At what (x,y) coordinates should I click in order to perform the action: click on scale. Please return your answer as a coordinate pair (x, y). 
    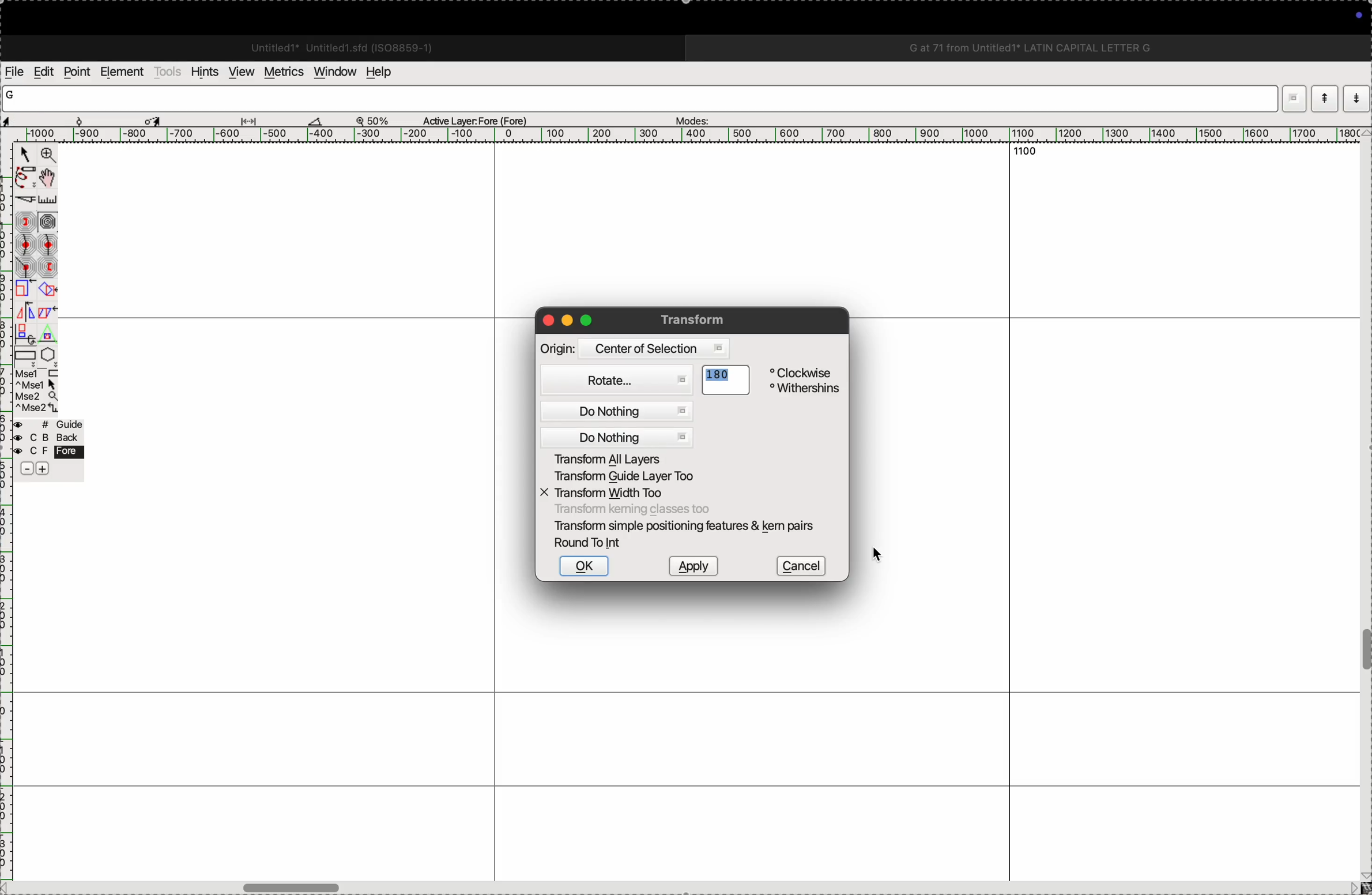
    Looking at the image, I should click on (25, 289).